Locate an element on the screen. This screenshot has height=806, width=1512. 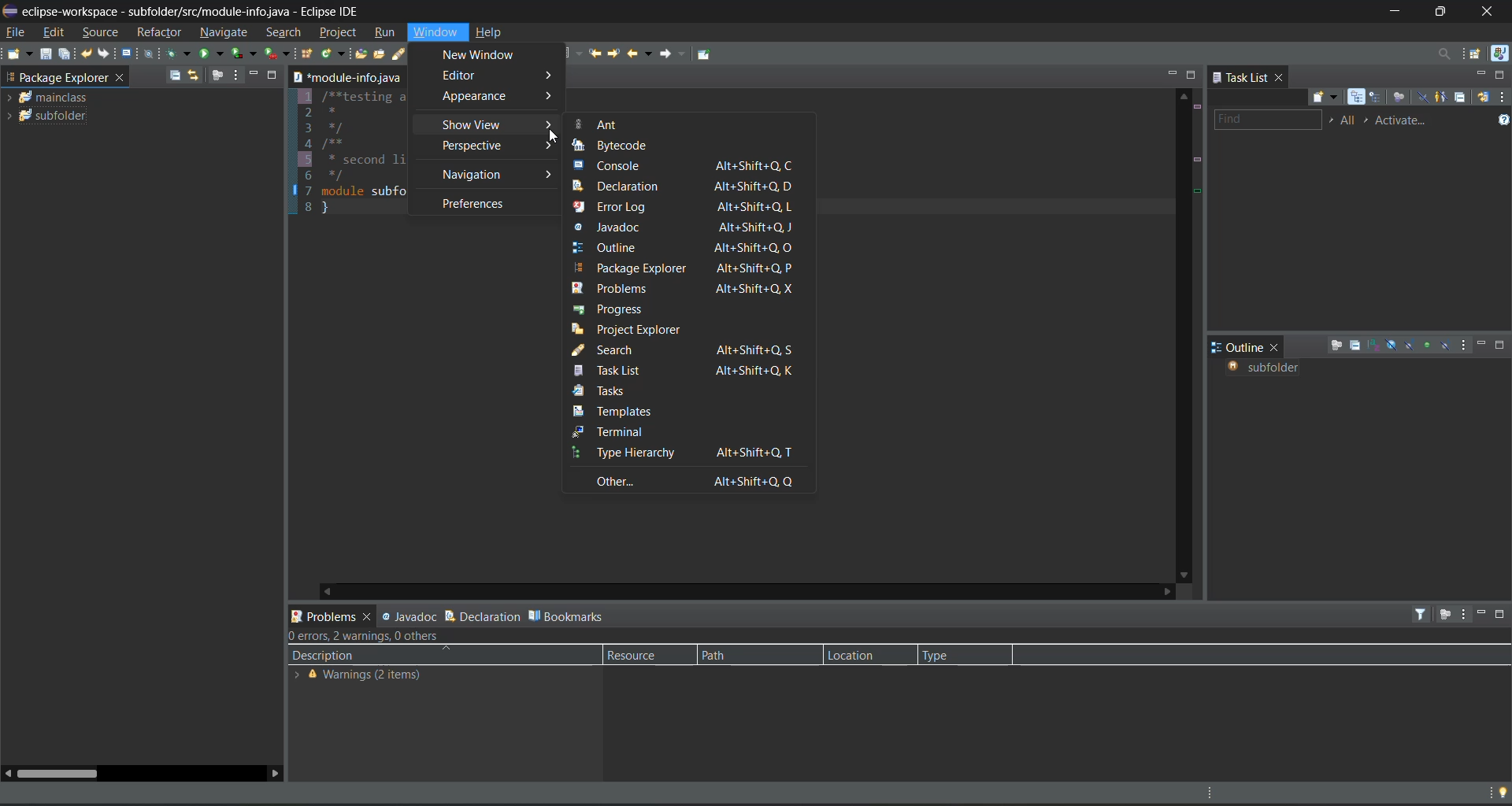
new is located at coordinates (19, 54).